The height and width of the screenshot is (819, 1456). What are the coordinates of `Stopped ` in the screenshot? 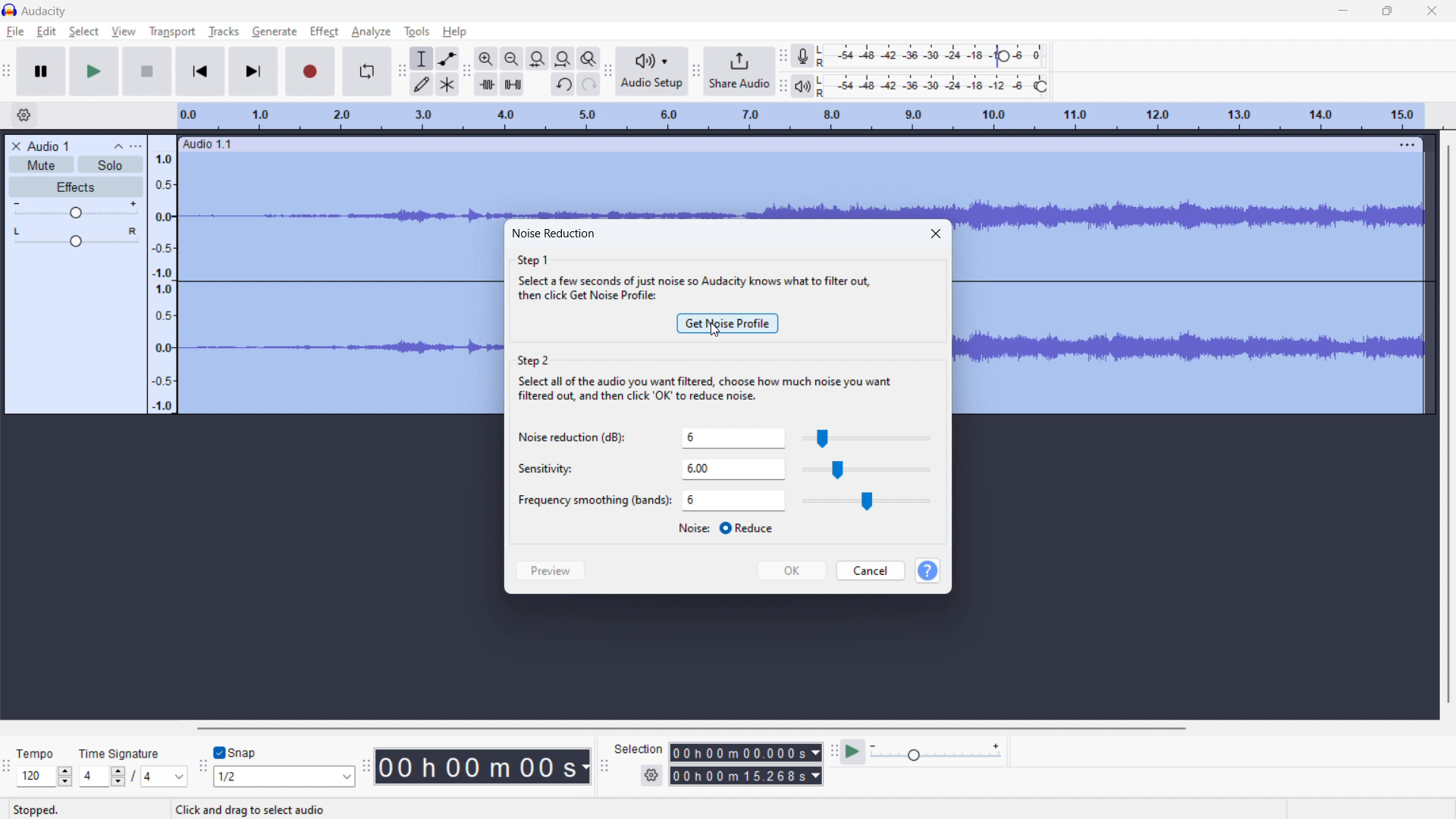 It's located at (39, 810).